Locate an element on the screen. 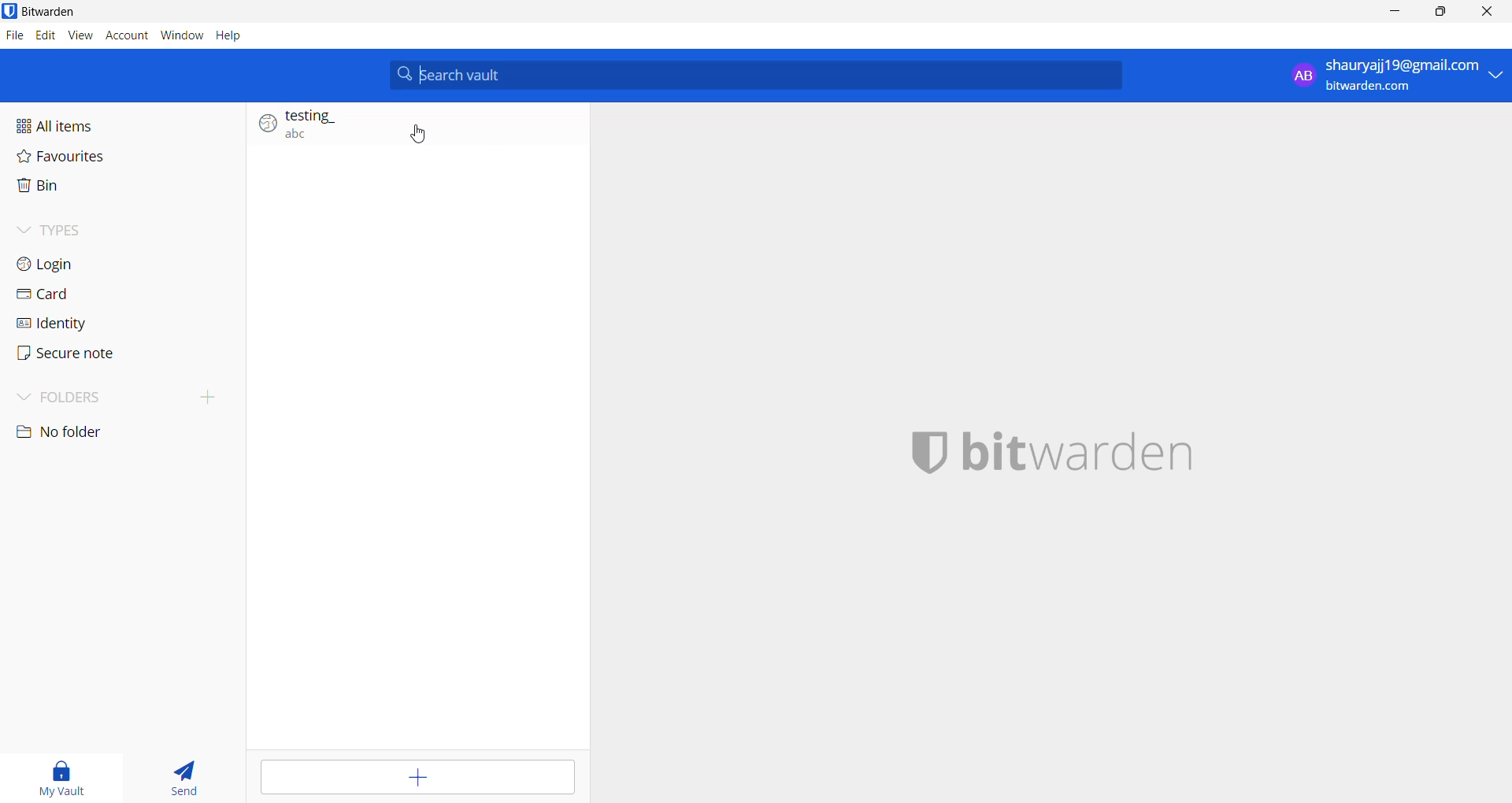 The width and height of the screenshot is (1512, 803). Login and logout options is located at coordinates (1392, 79).